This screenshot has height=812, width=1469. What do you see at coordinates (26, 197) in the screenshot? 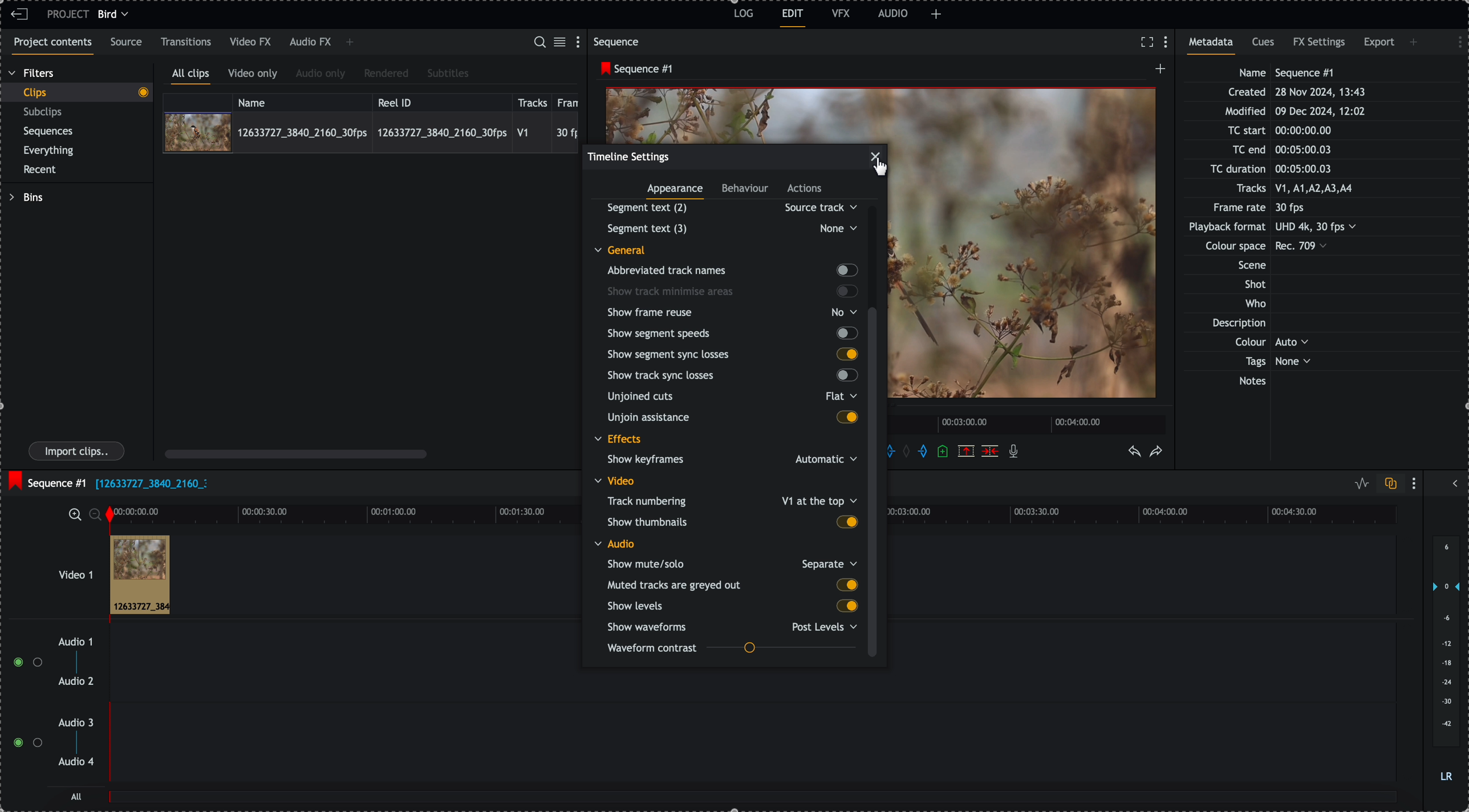
I see `bins` at bounding box center [26, 197].